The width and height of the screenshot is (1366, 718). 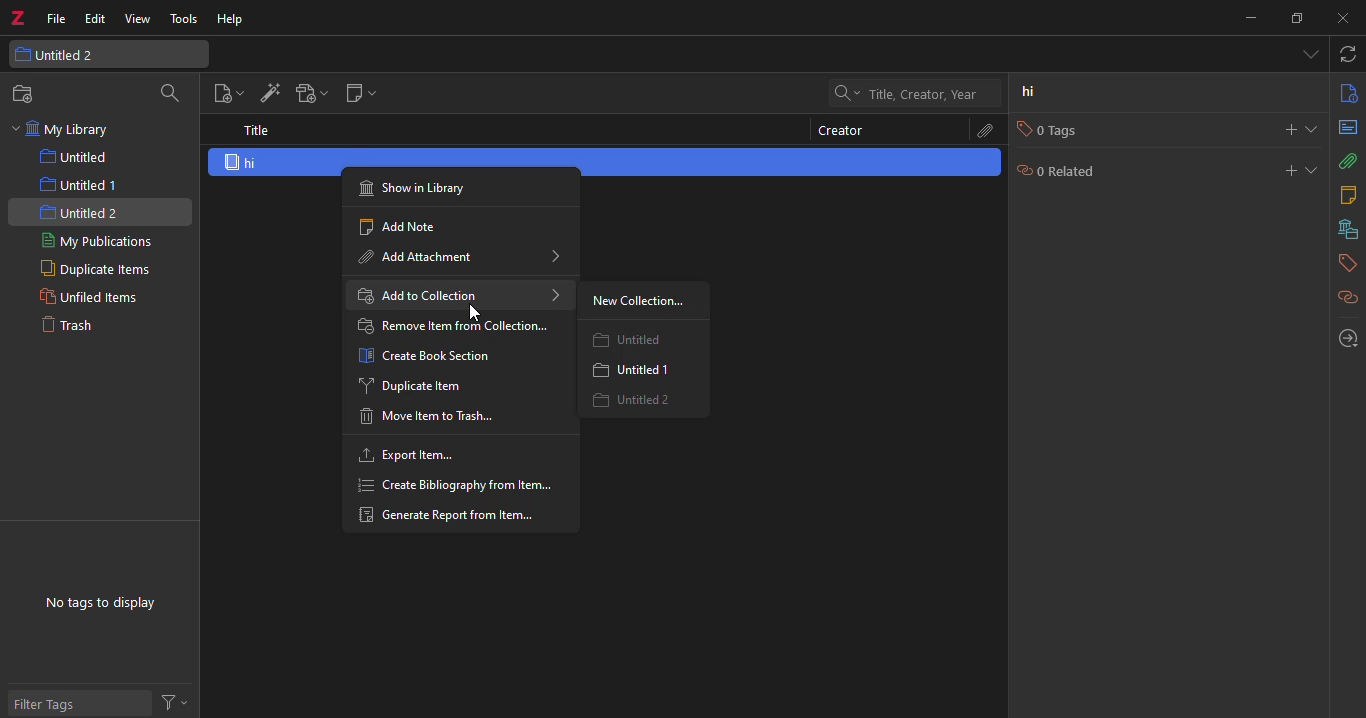 What do you see at coordinates (169, 95) in the screenshot?
I see `search` at bounding box center [169, 95].